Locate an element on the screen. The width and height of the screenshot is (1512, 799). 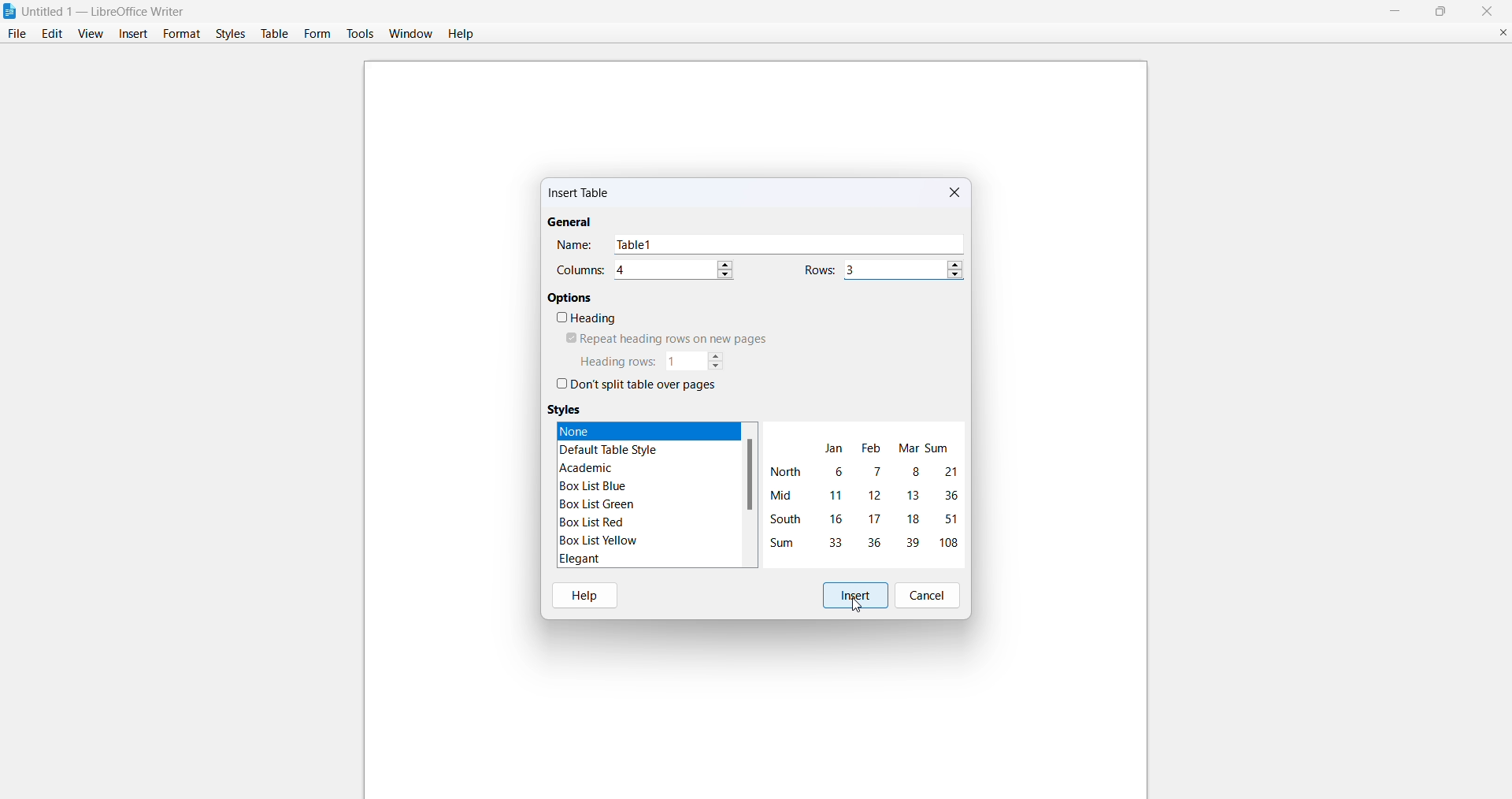
minimize is located at coordinates (1391, 10).